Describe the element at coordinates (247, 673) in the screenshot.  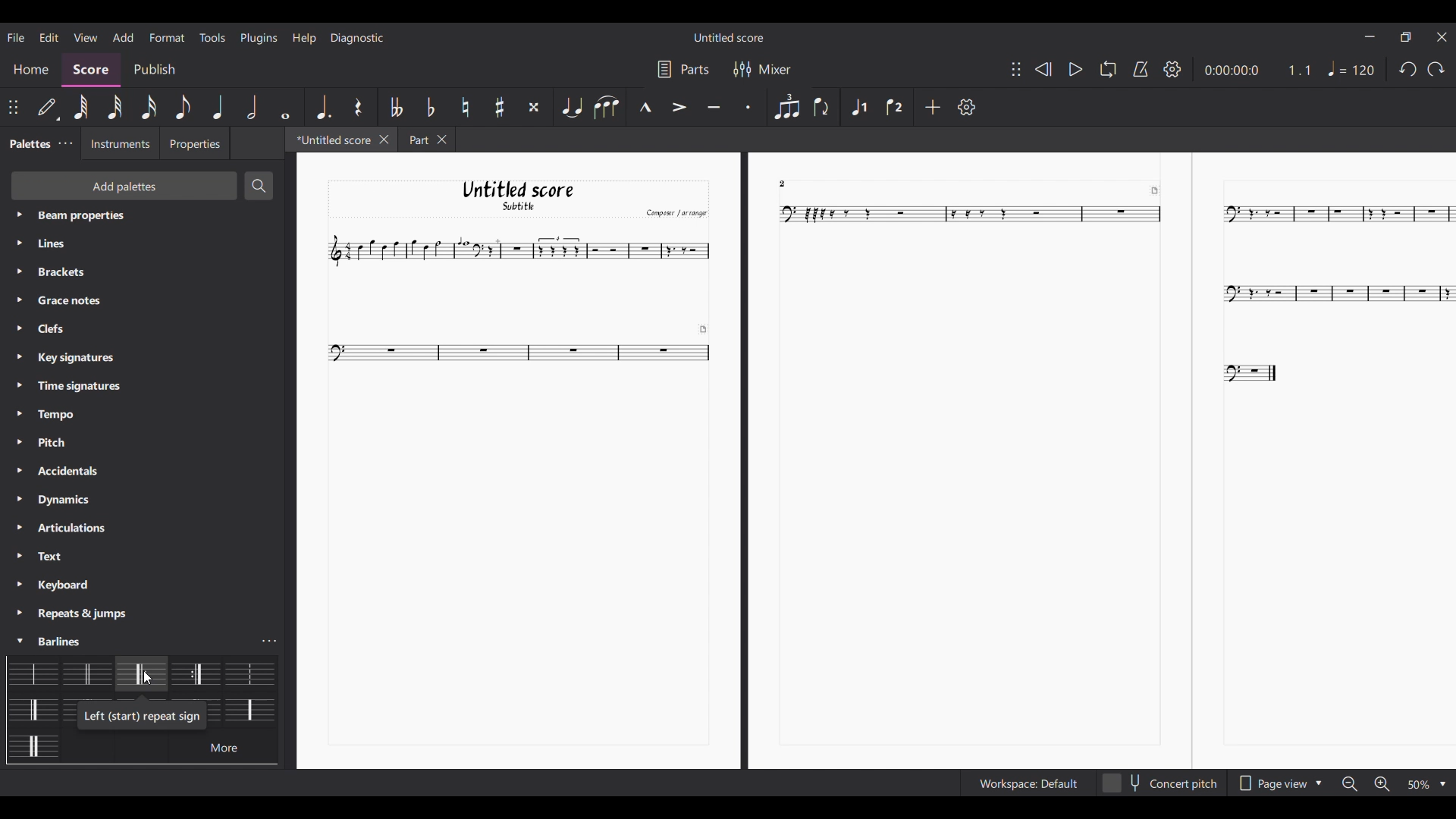
I see `Barline options` at that location.